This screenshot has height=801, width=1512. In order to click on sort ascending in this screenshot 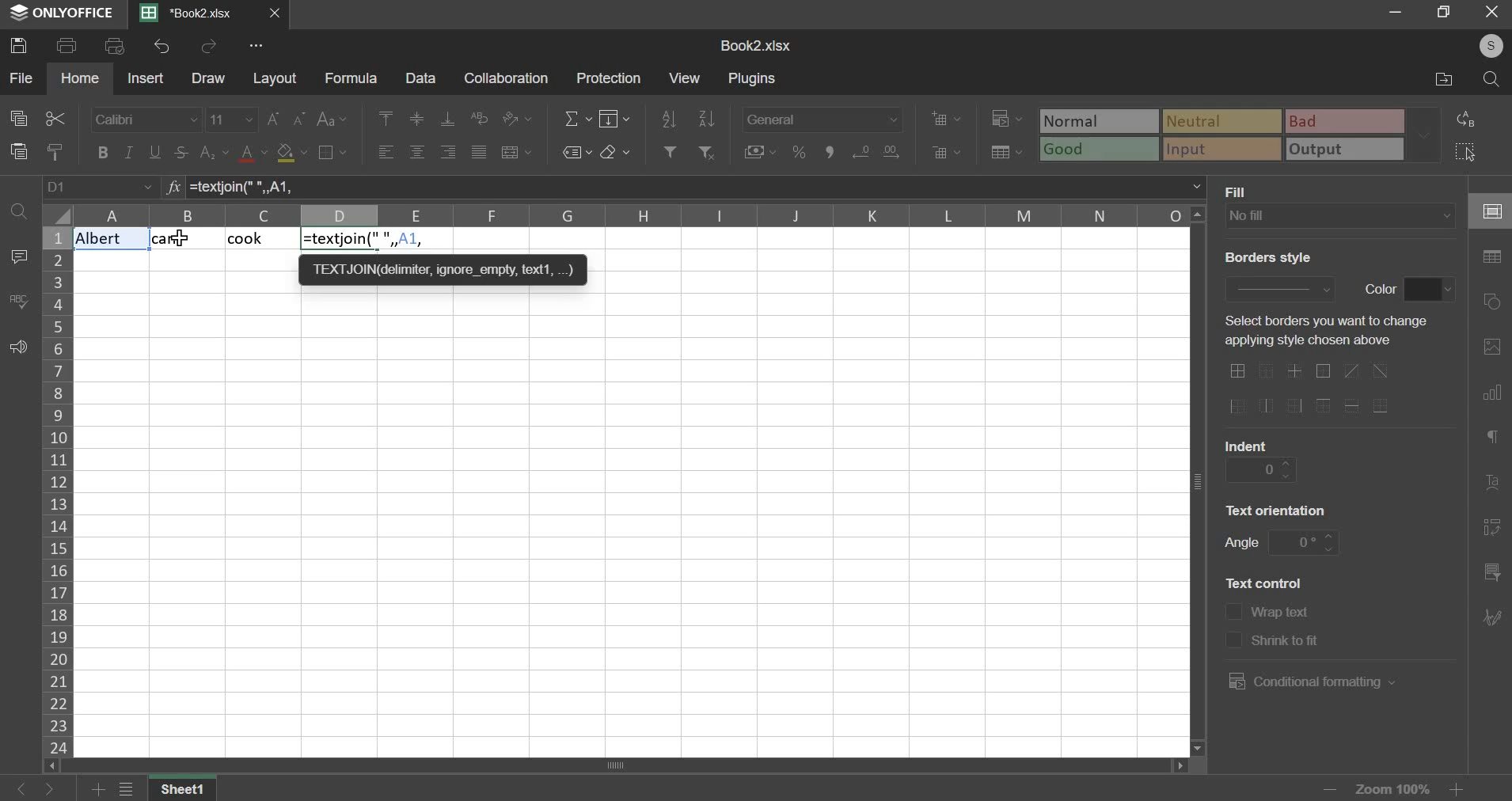, I will do `click(669, 116)`.